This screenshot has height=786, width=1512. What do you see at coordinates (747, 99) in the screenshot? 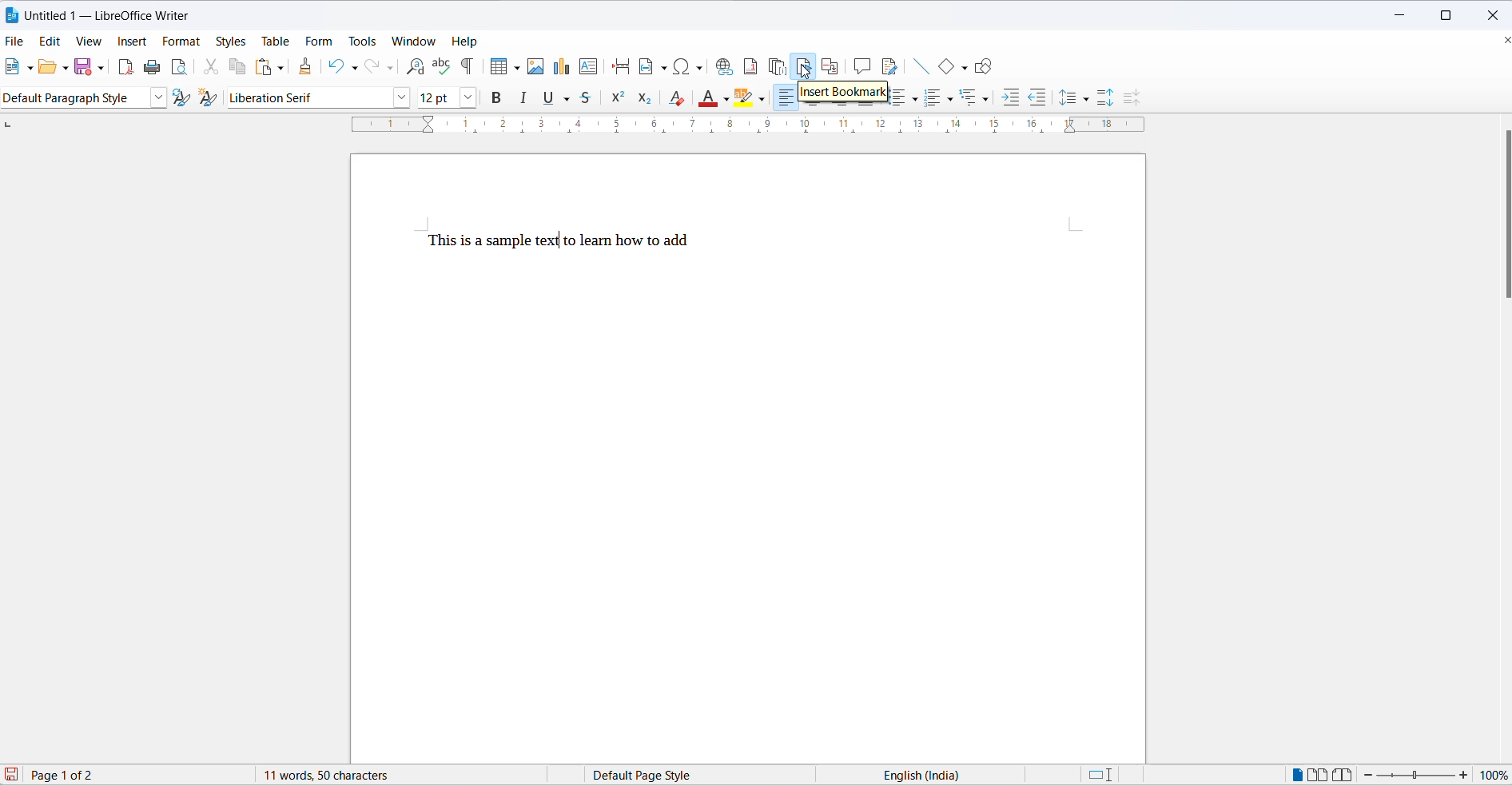
I see `character highlight icon` at bounding box center [747, 99].